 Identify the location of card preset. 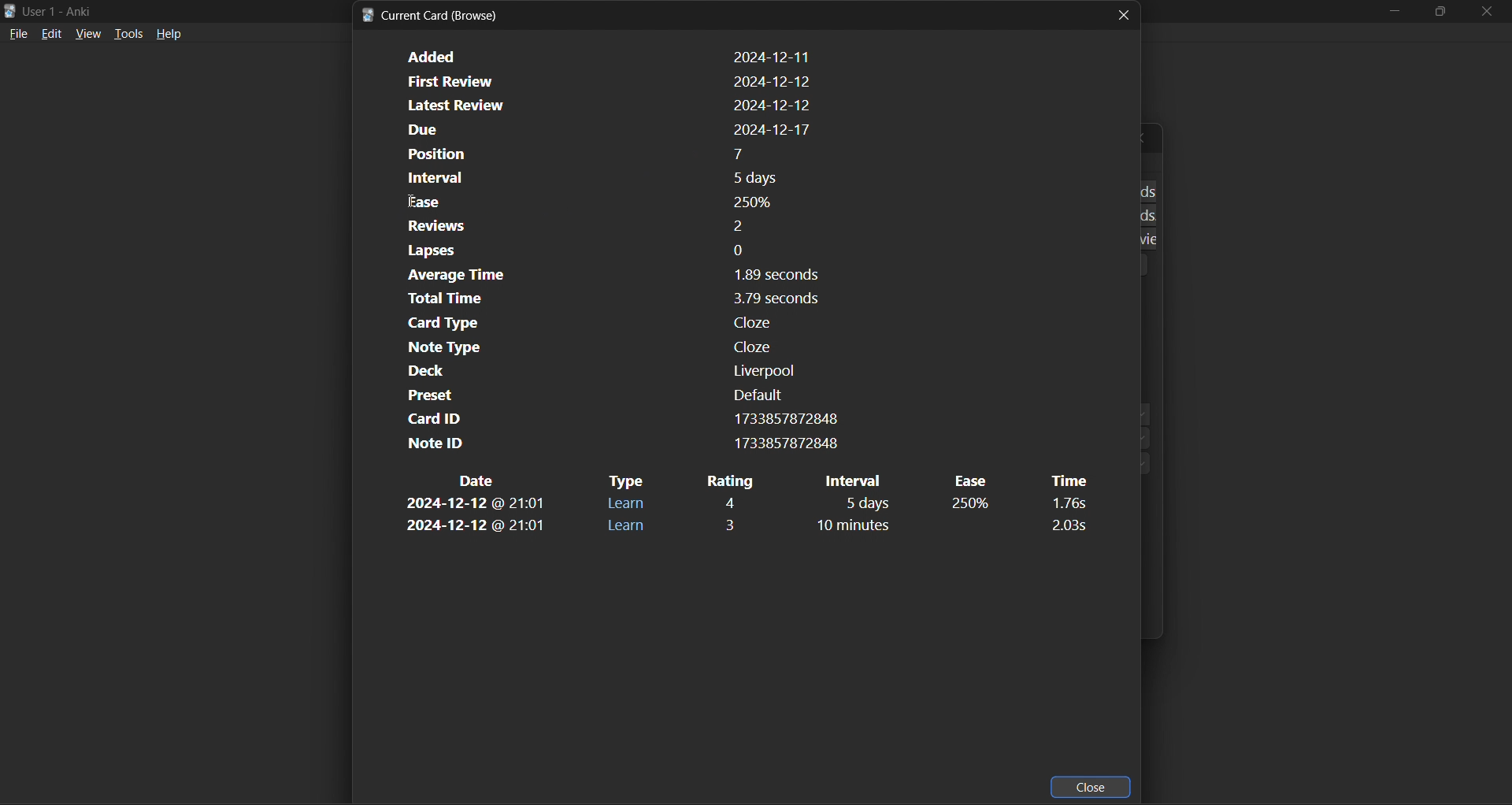
(597, 395).